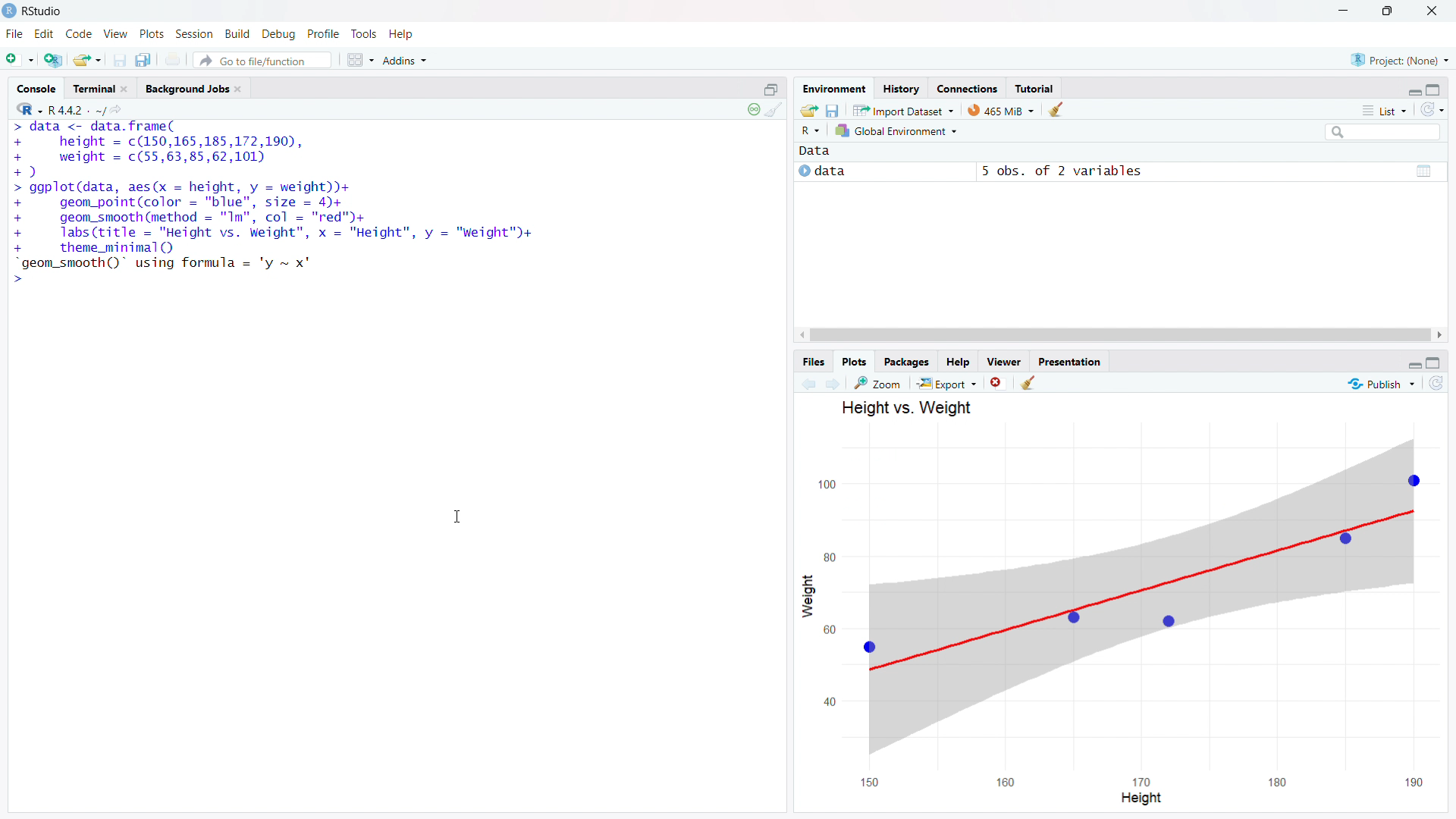 The width and height of the screenshot is (1456, 819). I want to click on save all open documents, so click(146, 59).